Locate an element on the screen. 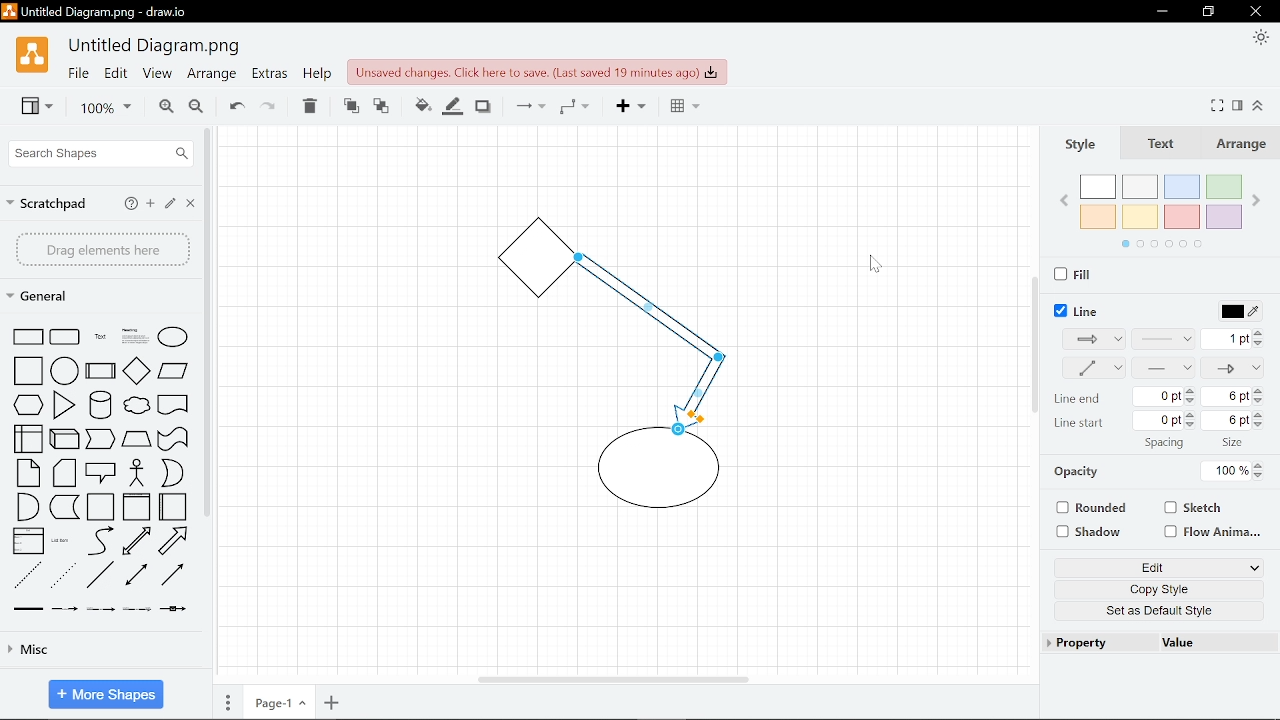 Image resolution: width=1280 pixels, height=720 pixels. Close is located at coordinates (192, 205).